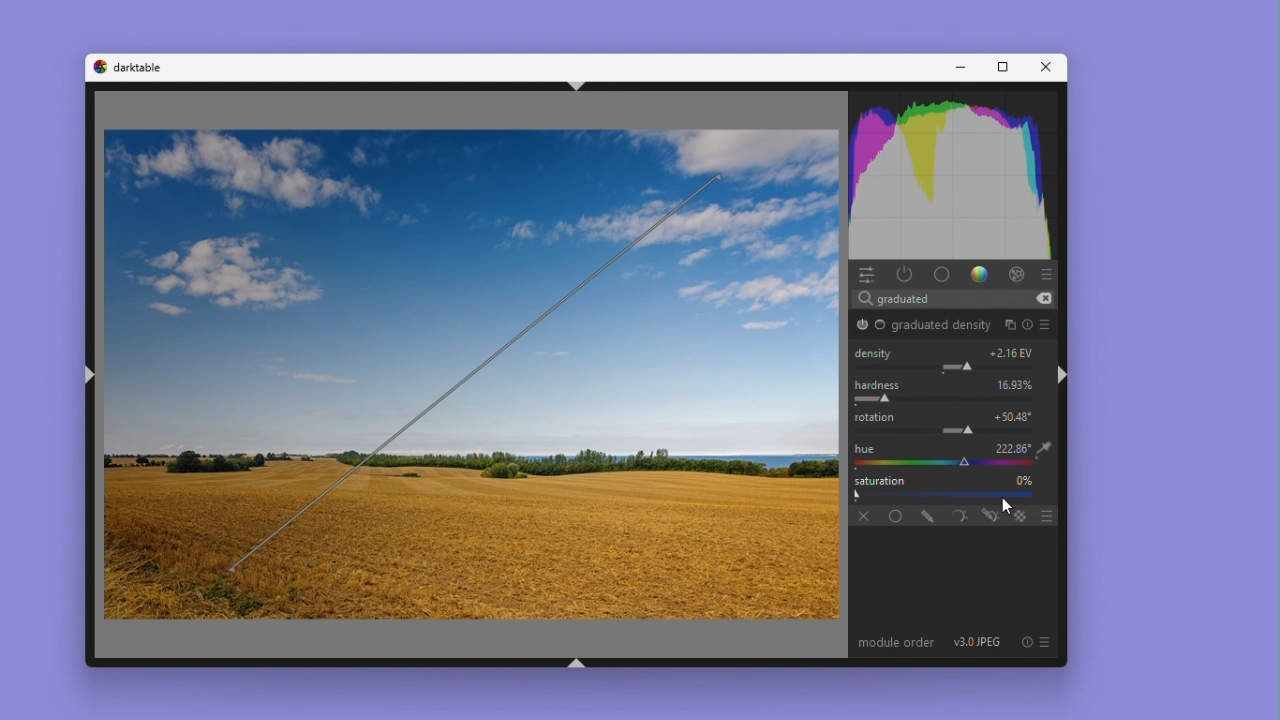 Image resolution: width=1280 pixels, height=720 pixels. Describe the element at coordinates (572, 663) in the screenshot. I see `` at that location.